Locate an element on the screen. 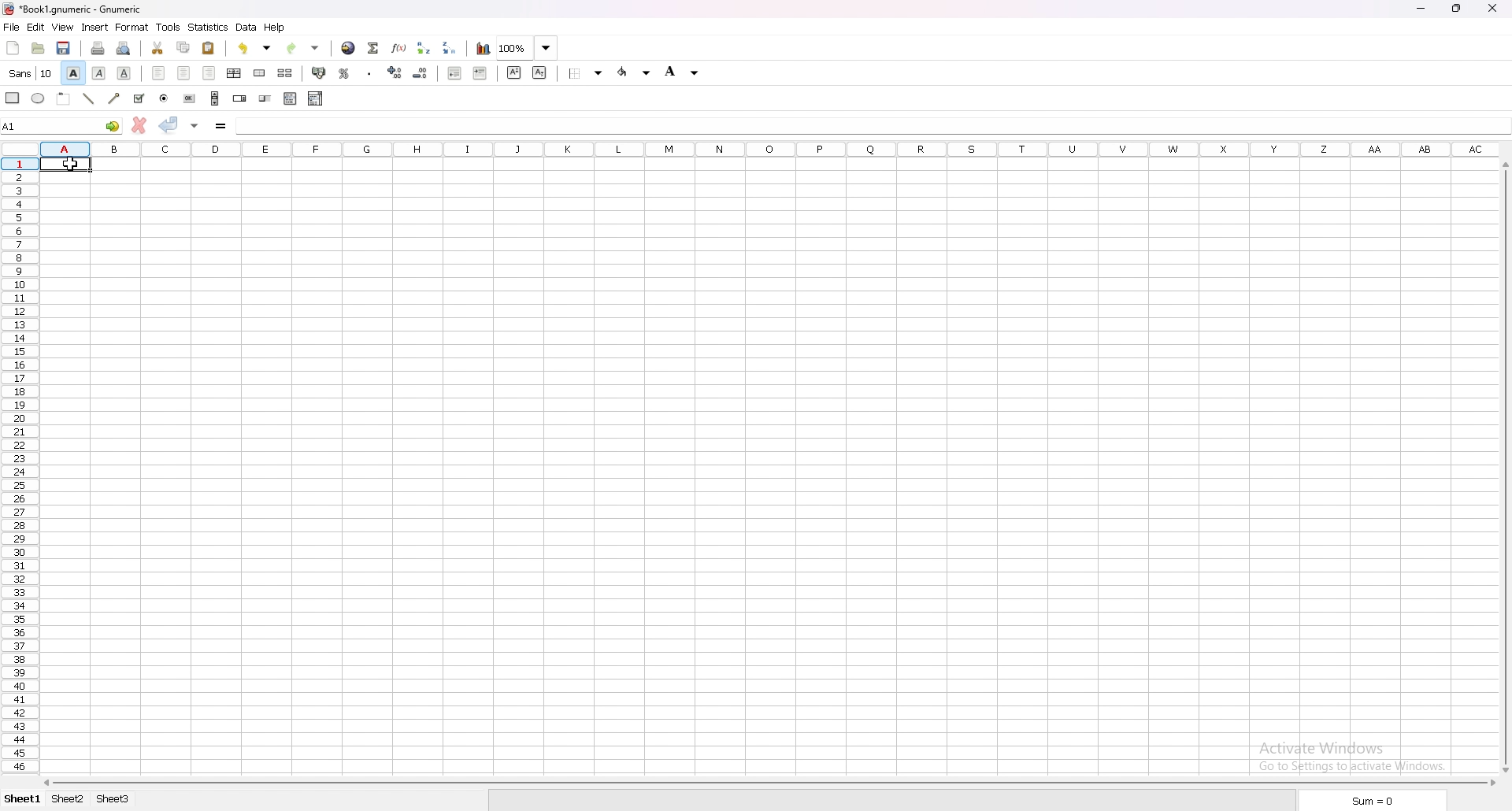  decrease decimal is located at coordinates (421, 73).